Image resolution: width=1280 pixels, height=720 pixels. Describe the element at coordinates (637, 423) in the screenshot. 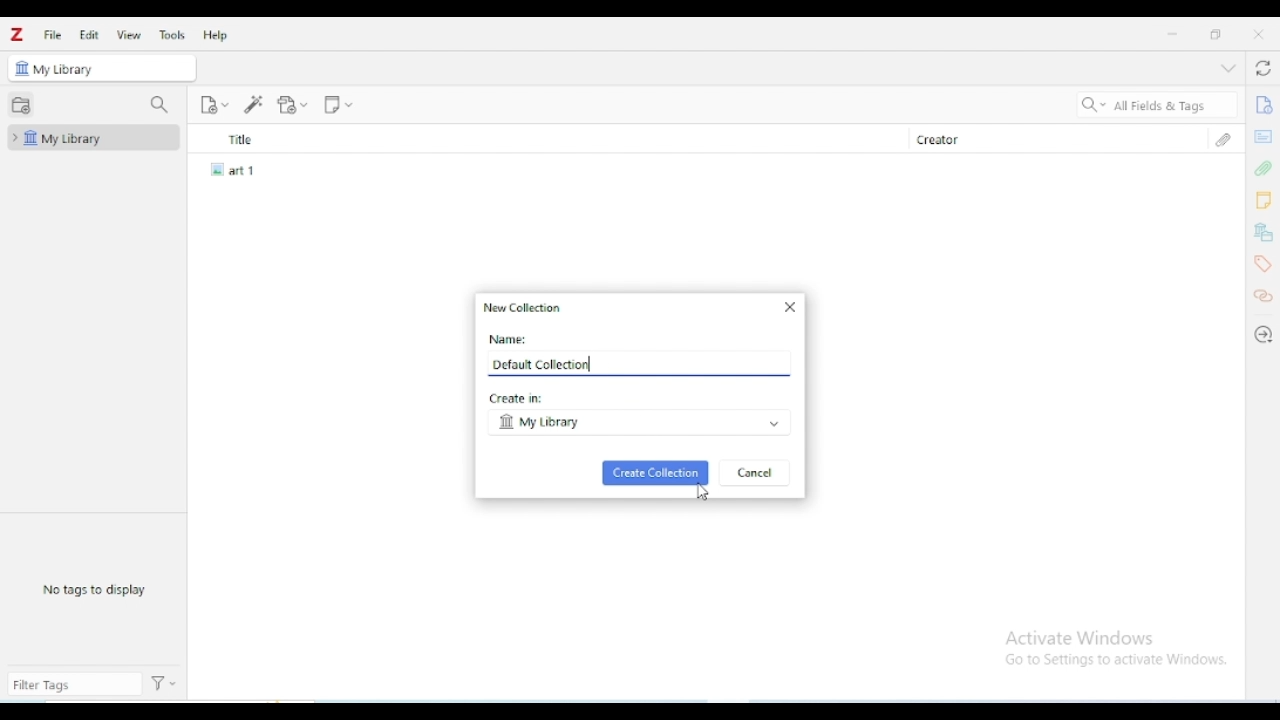

I see `my library ` at that location.